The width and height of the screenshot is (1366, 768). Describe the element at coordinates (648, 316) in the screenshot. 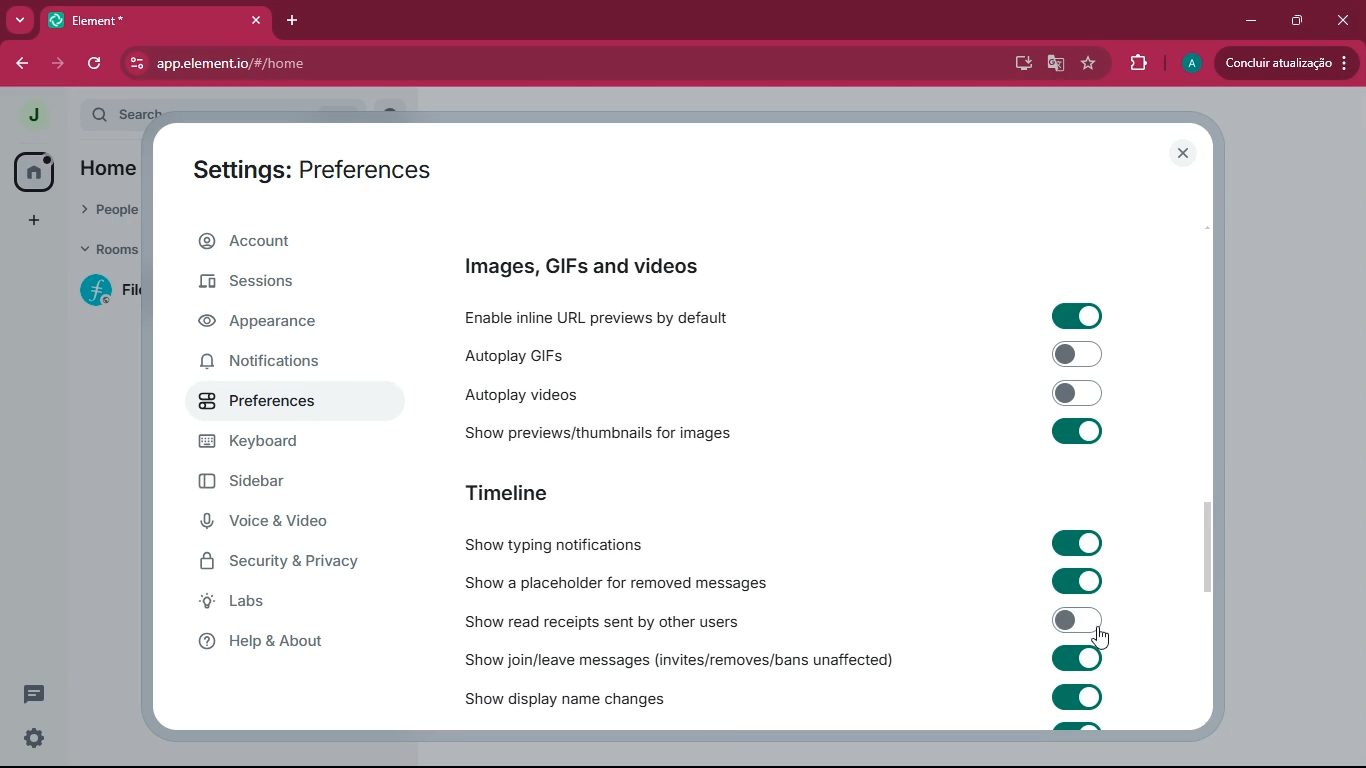

I see `enable inline URL previews by default` at that location.